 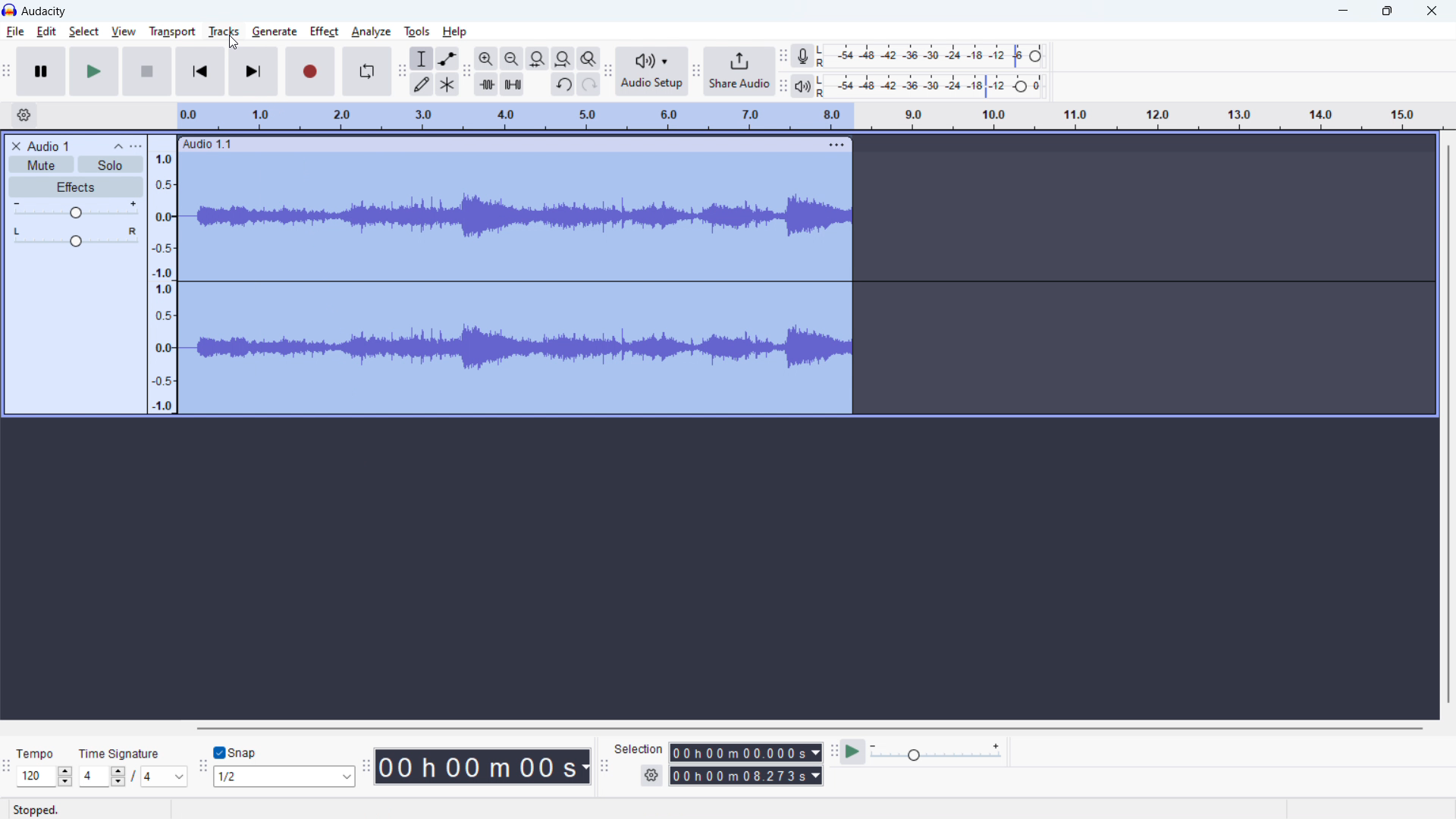 What do you see at coordinates (803, 85) in the screenshot?
I see `playback meter` at bounding box center [803, 85].